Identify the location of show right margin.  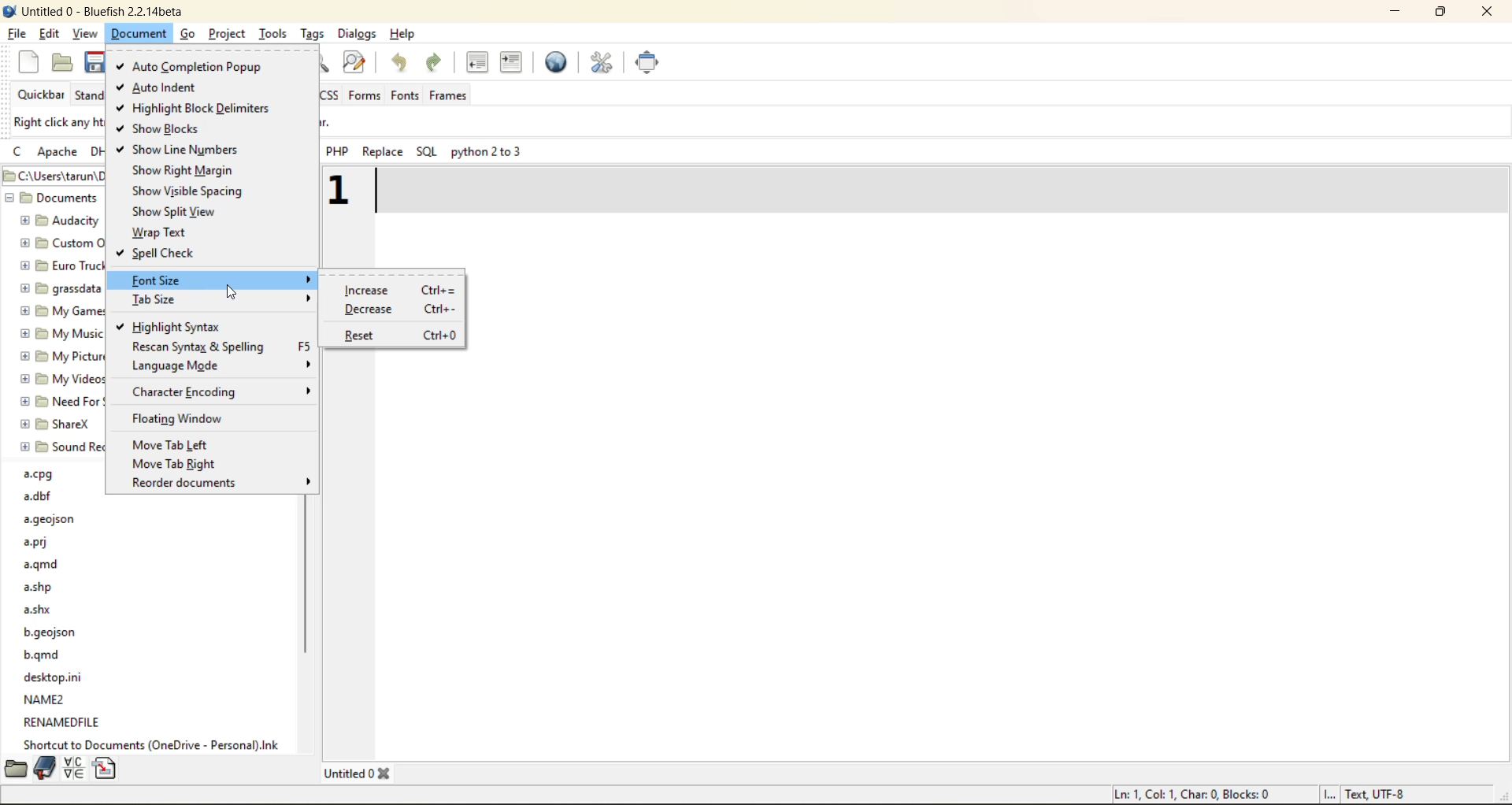
(190, 170).